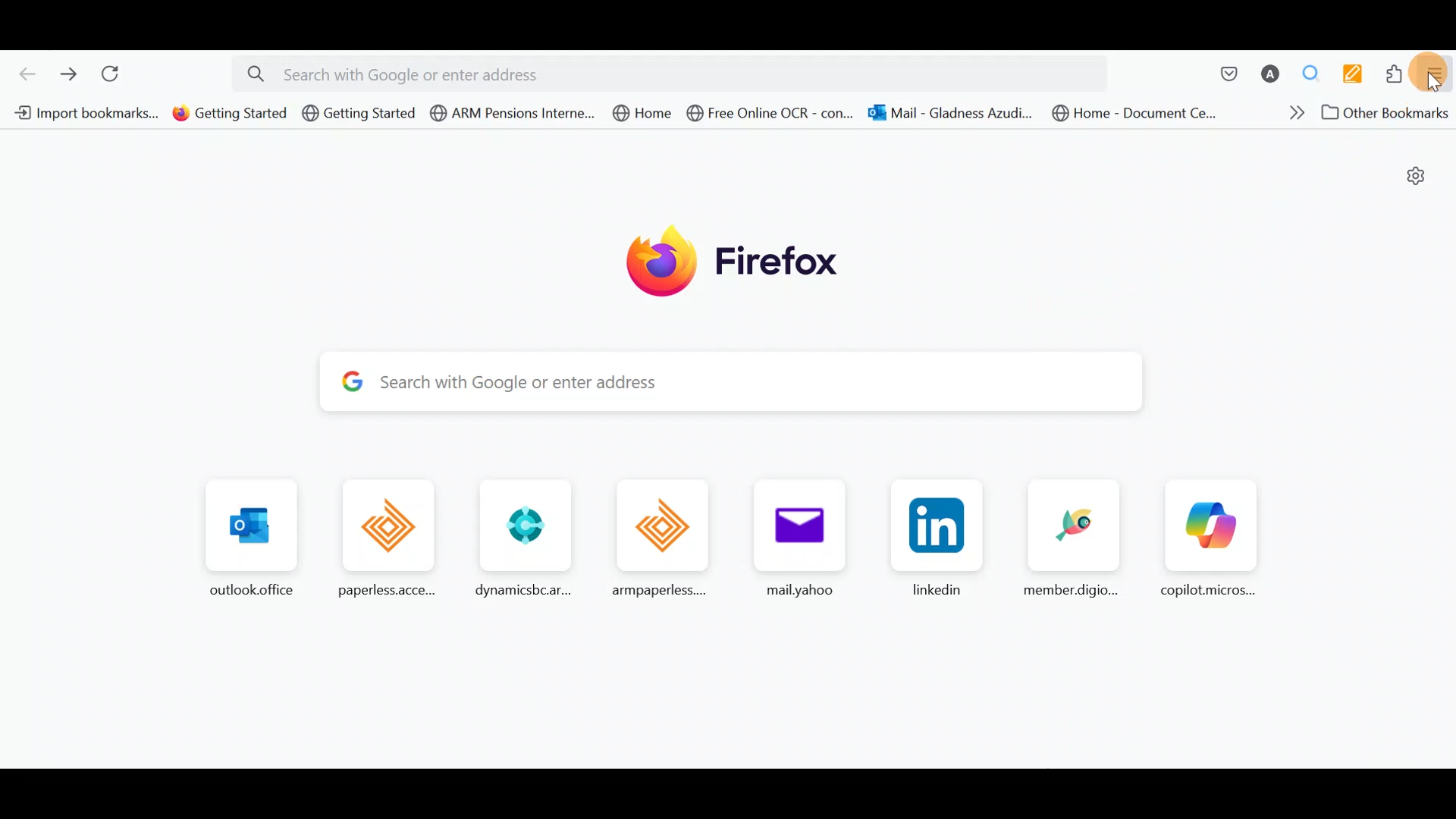 The width and height of the screenshot is (1456, 819). What do you see at coordinates (1266, 76) in the screenshot?
I see `Account name` at bounding box center [1266, 76].